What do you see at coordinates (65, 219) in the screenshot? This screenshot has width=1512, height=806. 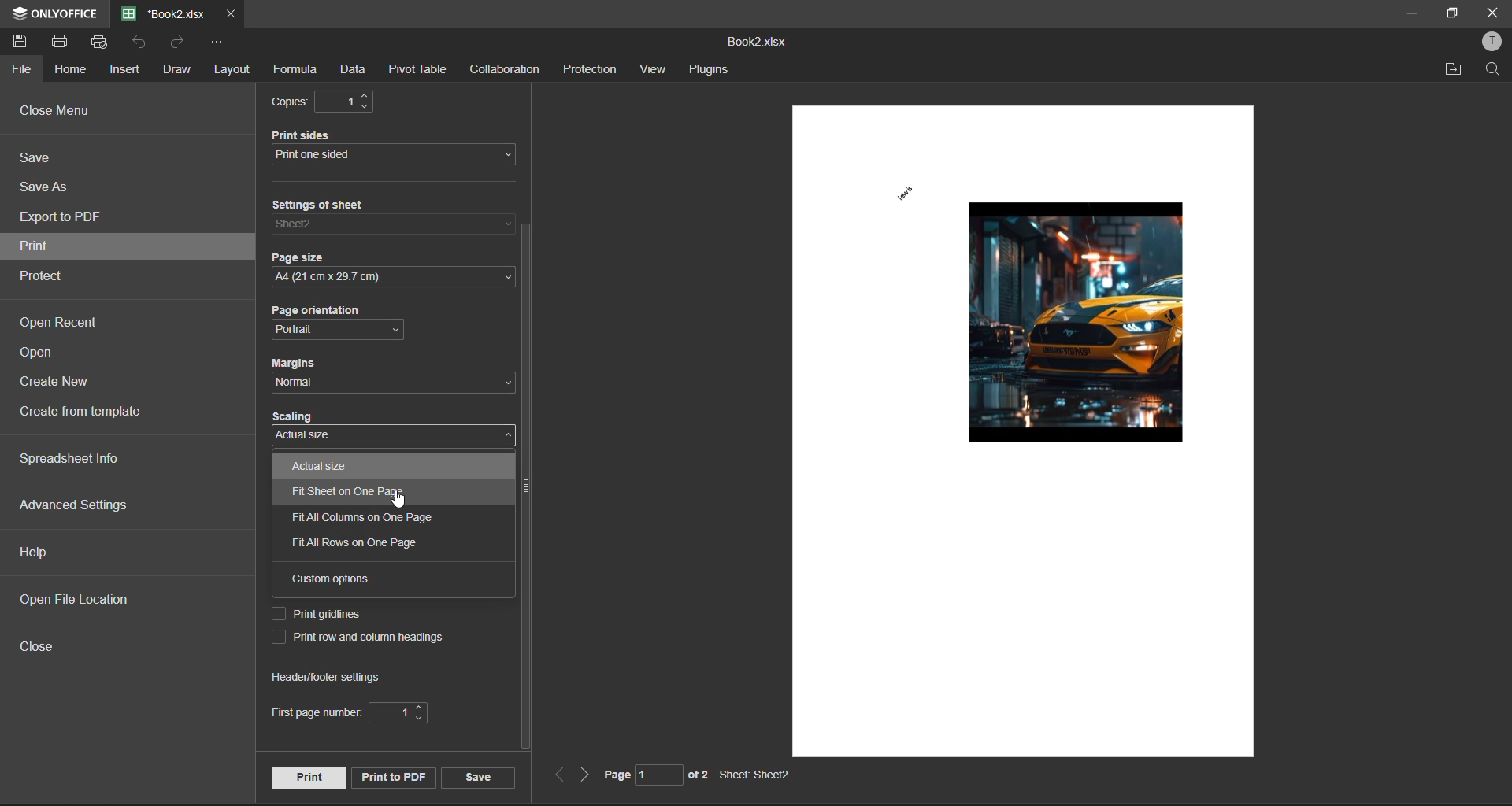 I see `export to pdf` at bounding box center [65, 219].